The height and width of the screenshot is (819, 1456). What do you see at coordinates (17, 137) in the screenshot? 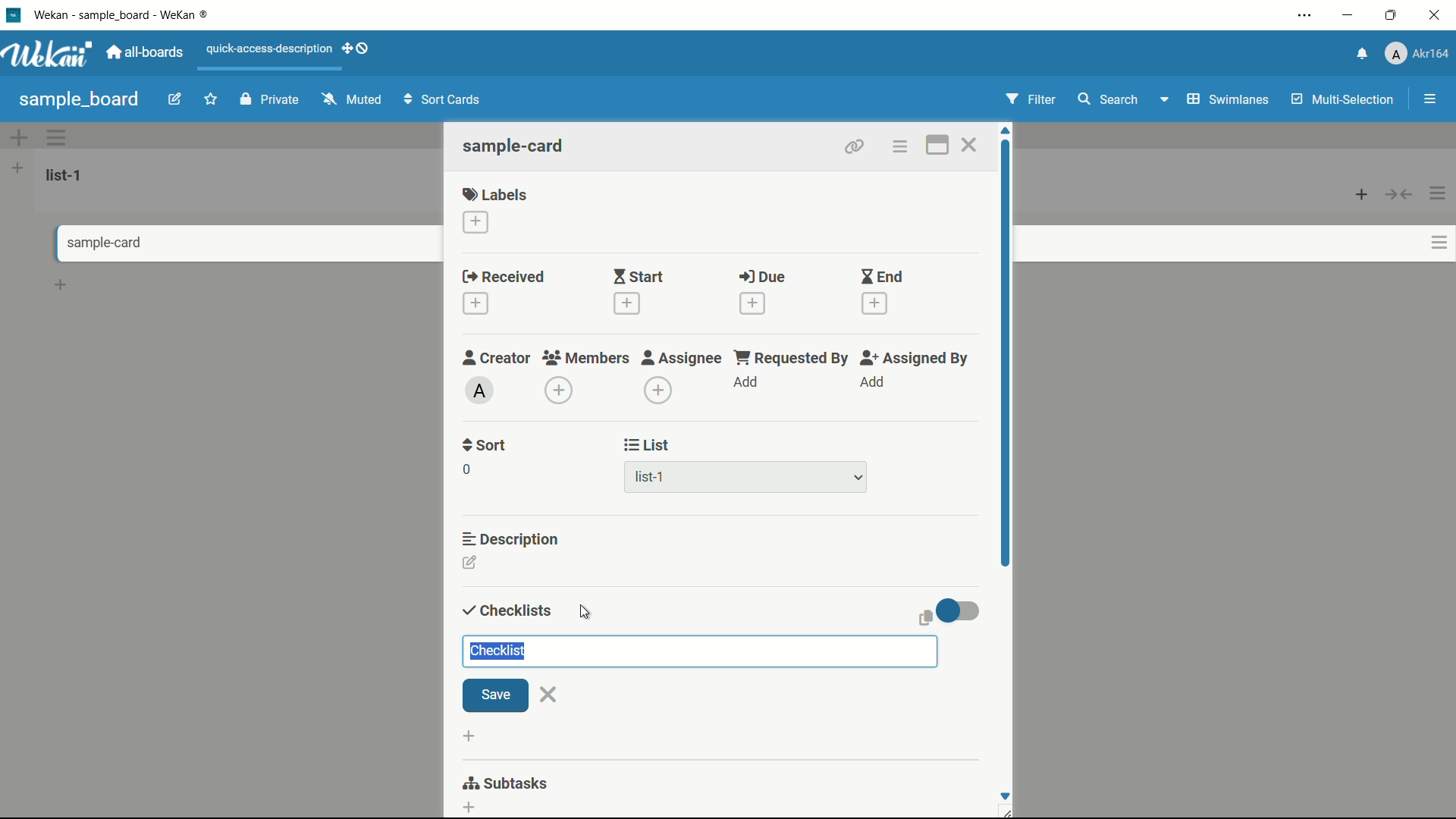
I see `add swimlane` at bounding box center [17, 137].